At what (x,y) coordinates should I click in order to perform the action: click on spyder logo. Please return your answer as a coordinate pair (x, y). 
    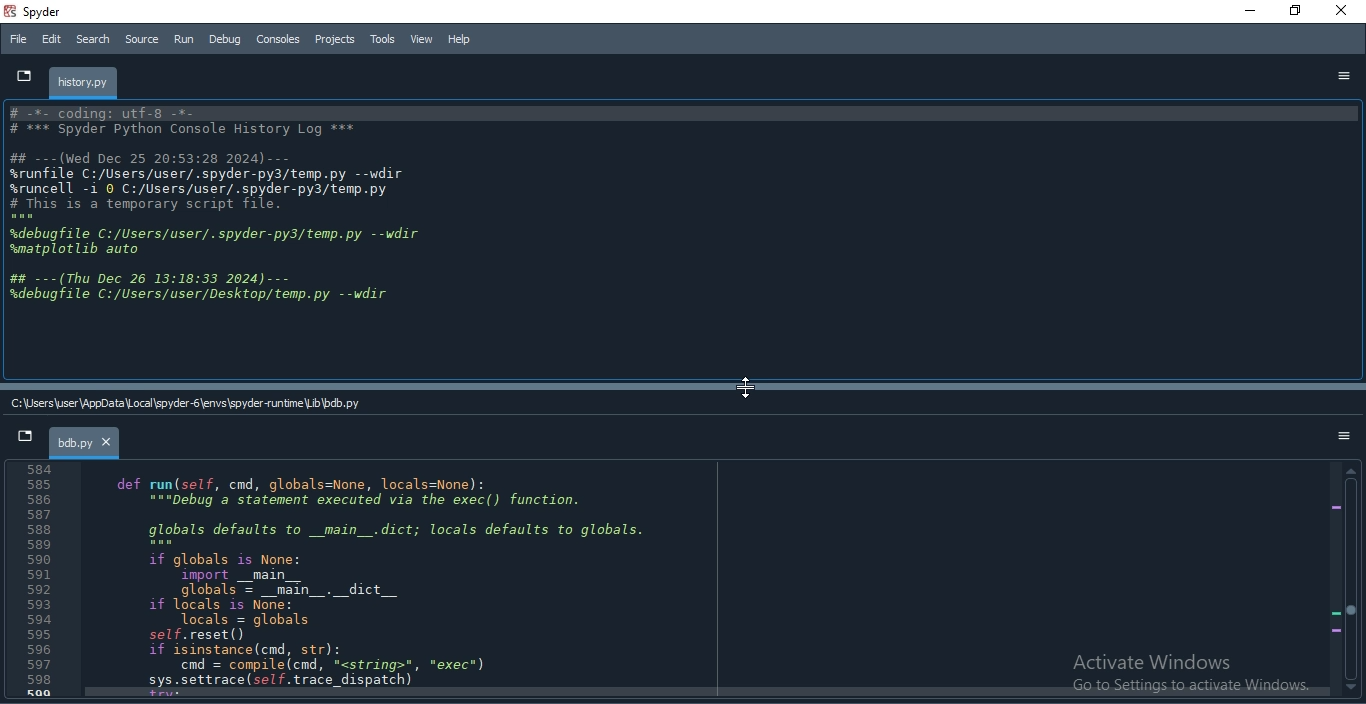
    Looking at the image, I should click on (12, 10).